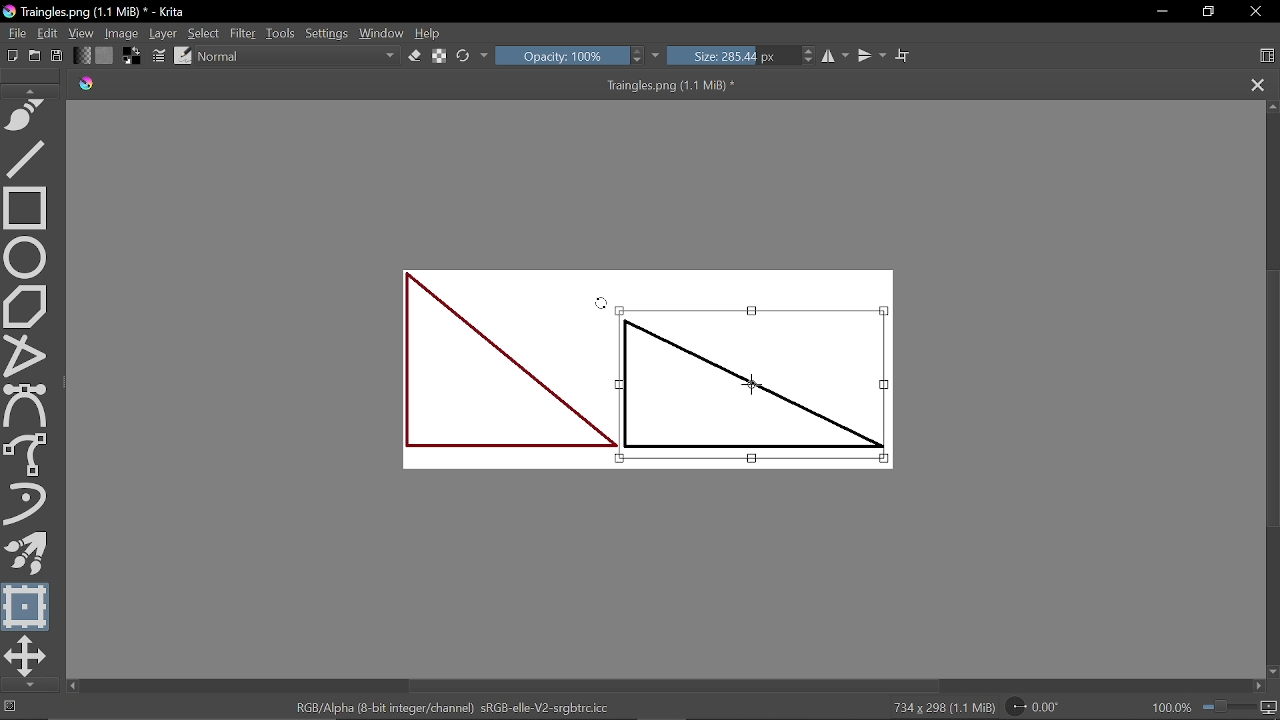 Image resolution: width=1280 pixels, height=720 pixels. I want to click on Move down in tools, so click(26, 685).